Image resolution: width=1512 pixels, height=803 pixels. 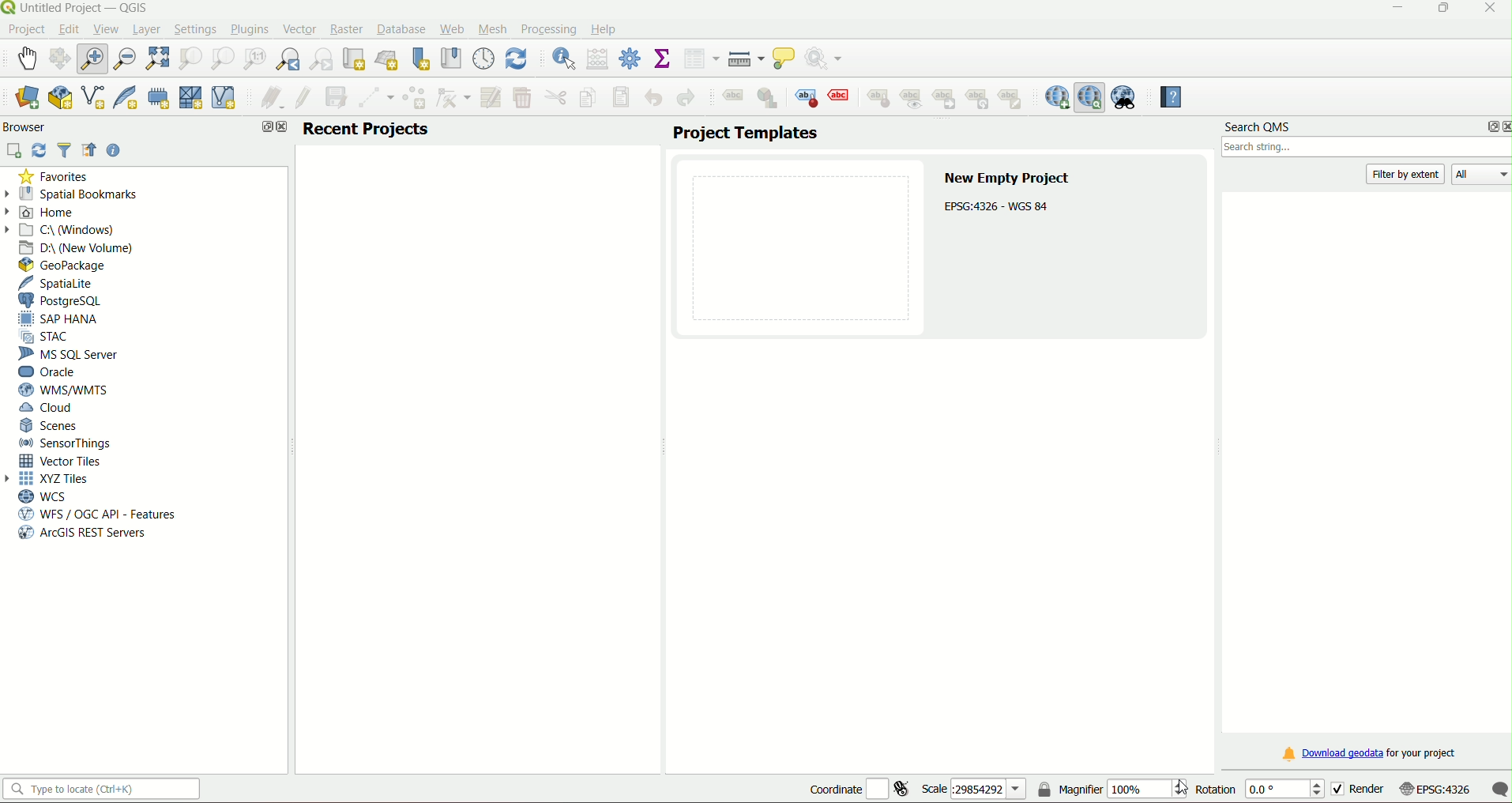 I want to click on EPSG, so click(x=1435, y=790).